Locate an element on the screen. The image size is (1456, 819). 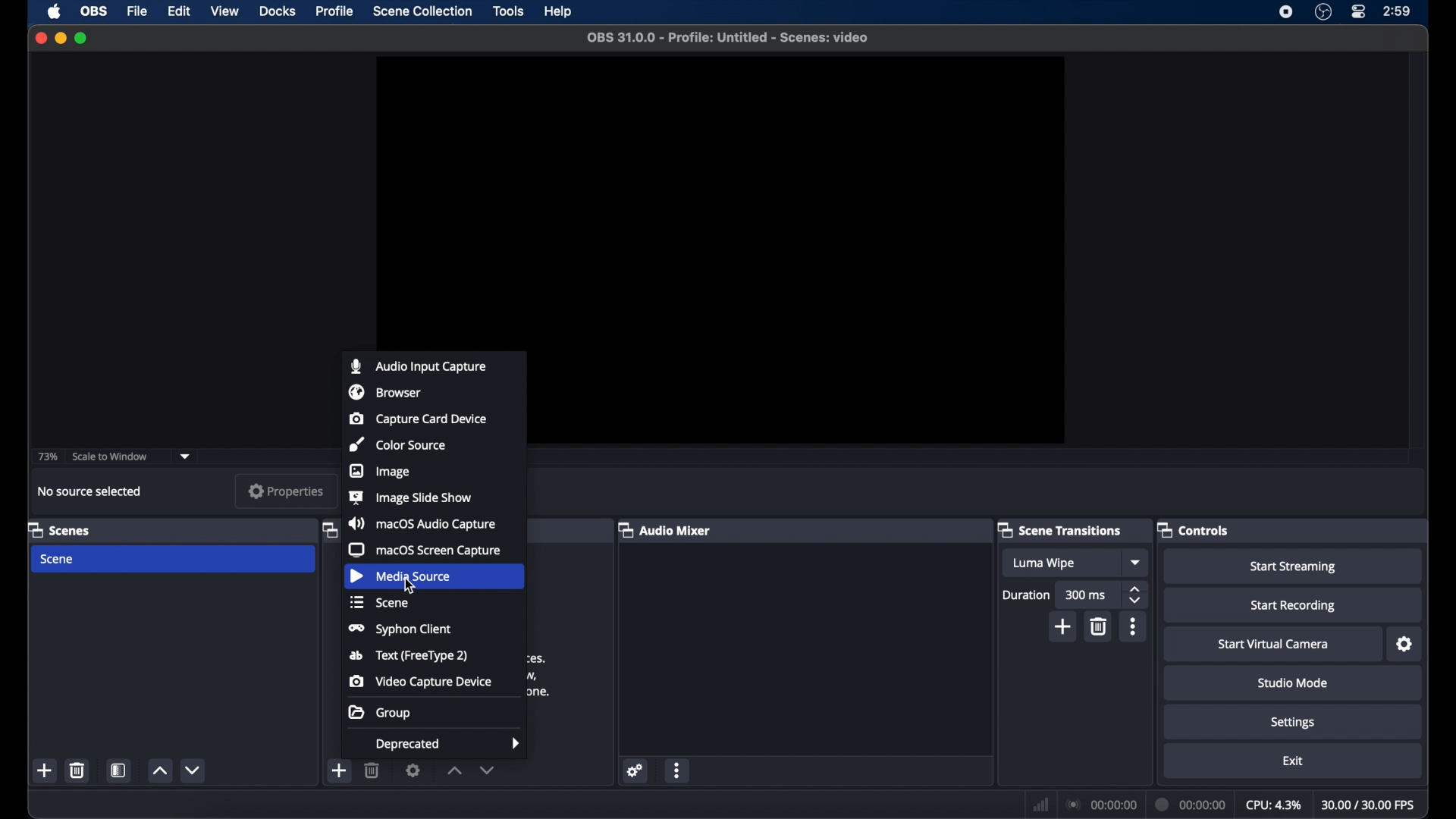
network is located at coordinates (1041, 805).